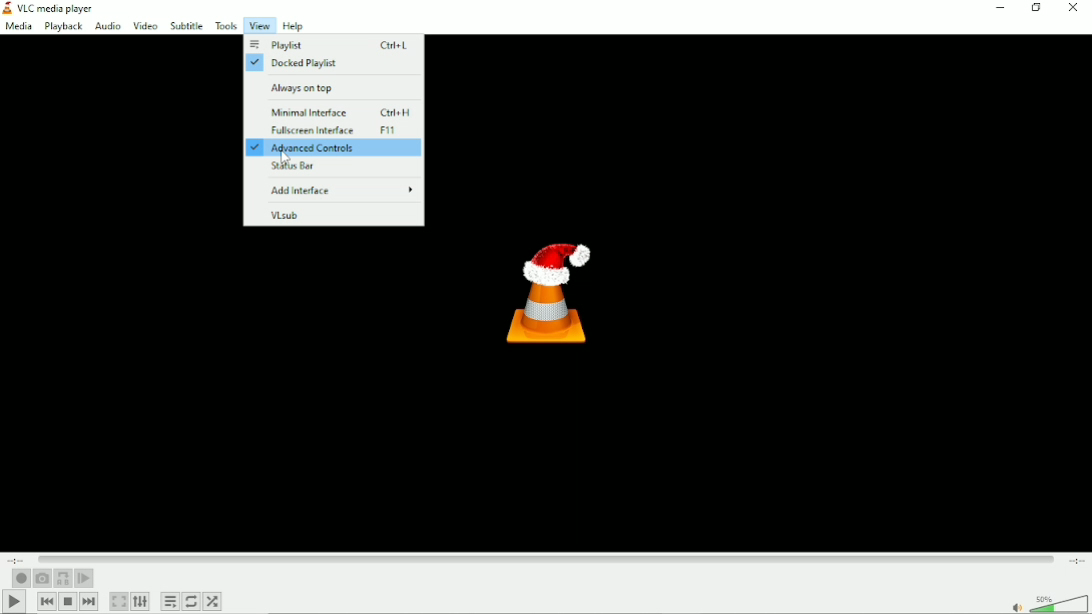 The height and width of the screenshot is (614, 1092). What do you see at coordinates (59, 7) in the screenshot?
I see `VLC media player` at bounding box center [59, 7].